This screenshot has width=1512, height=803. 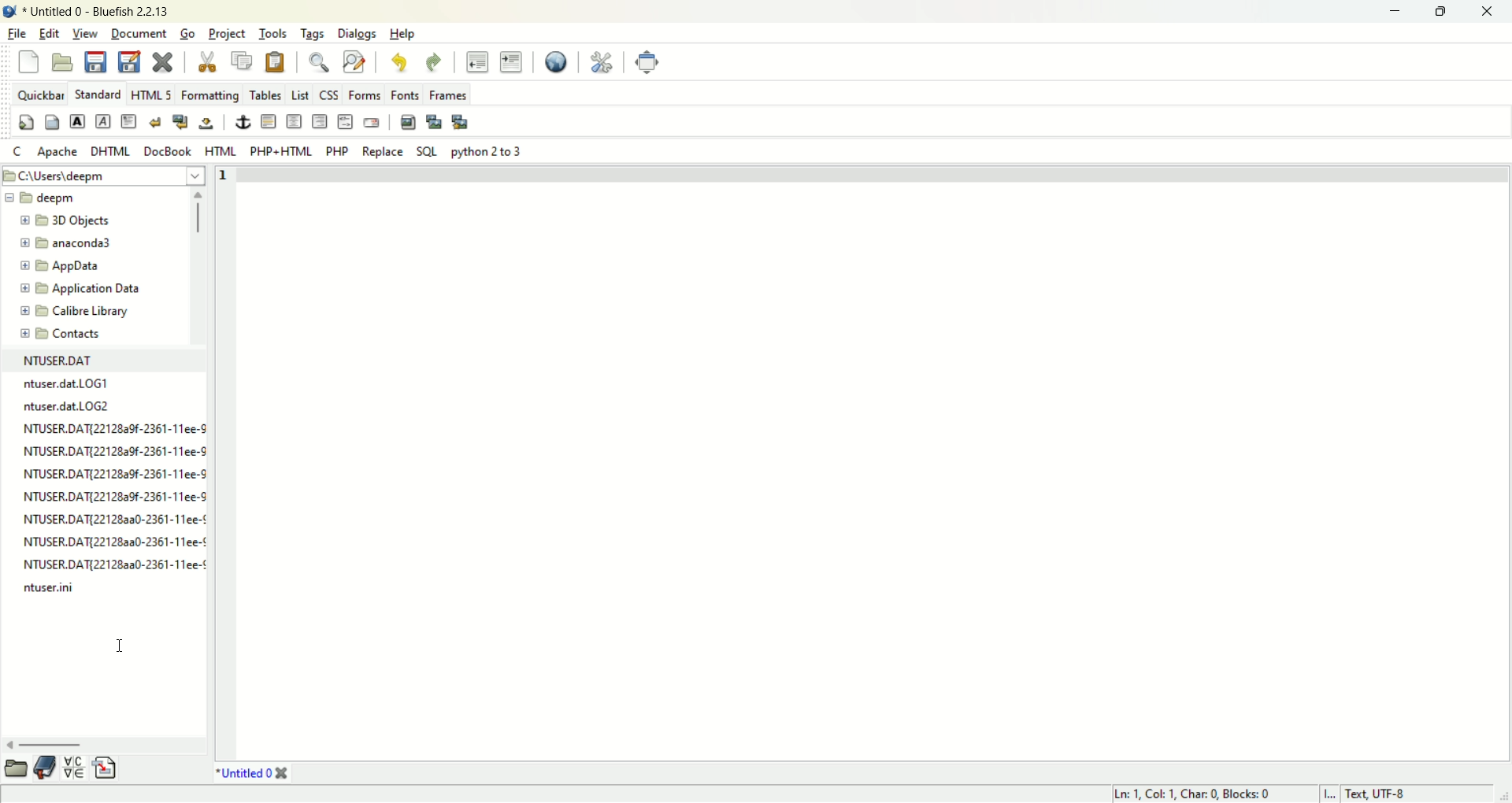 What do you see at coordinates (113, 564) in the screenshot?
I see `NTUSER.DAT{22128aa0-2361-11ee-¢` at bounding box center [113, 564].